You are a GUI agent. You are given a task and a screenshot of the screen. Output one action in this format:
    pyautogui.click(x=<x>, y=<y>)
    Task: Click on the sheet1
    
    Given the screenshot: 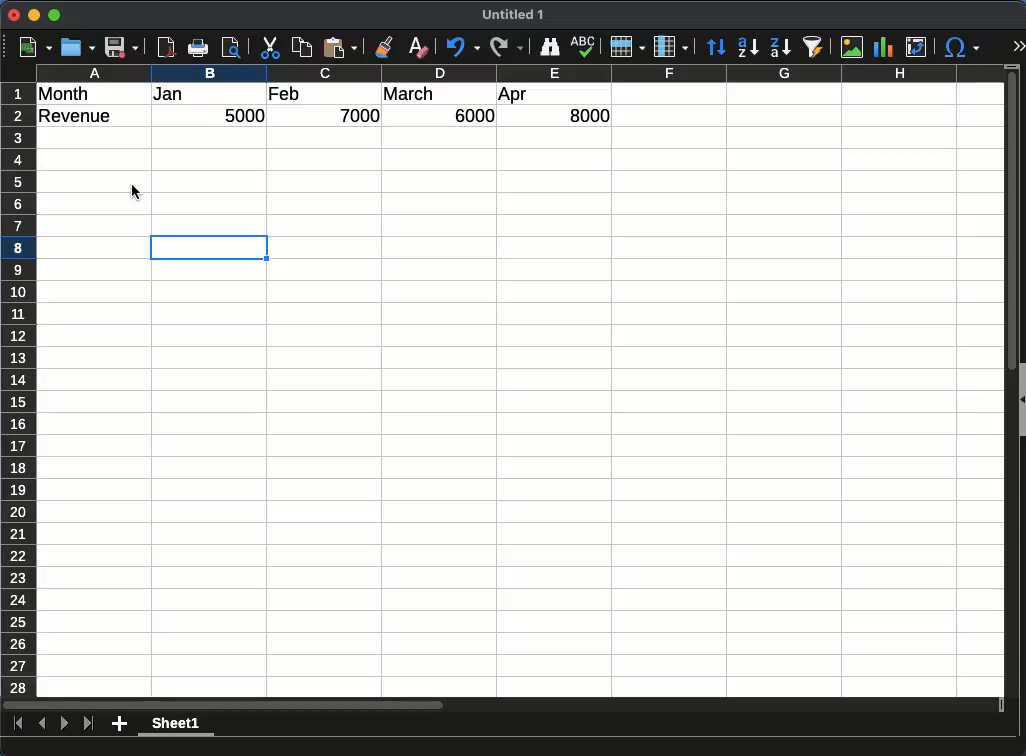 What is the action you would take?
    pyautogui.click(x=176, y=725)
    